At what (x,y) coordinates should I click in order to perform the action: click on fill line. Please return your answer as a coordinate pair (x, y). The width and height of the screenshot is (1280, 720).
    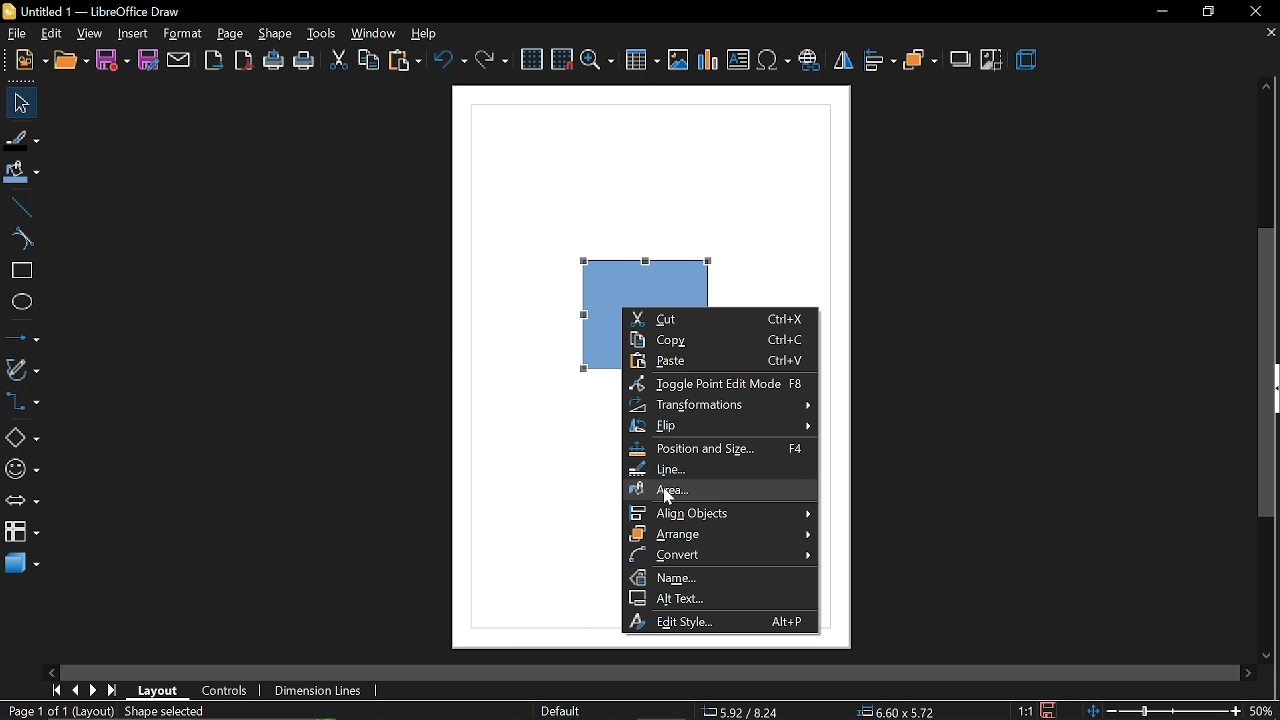
    Looking at the image, I should click on (23, 138).